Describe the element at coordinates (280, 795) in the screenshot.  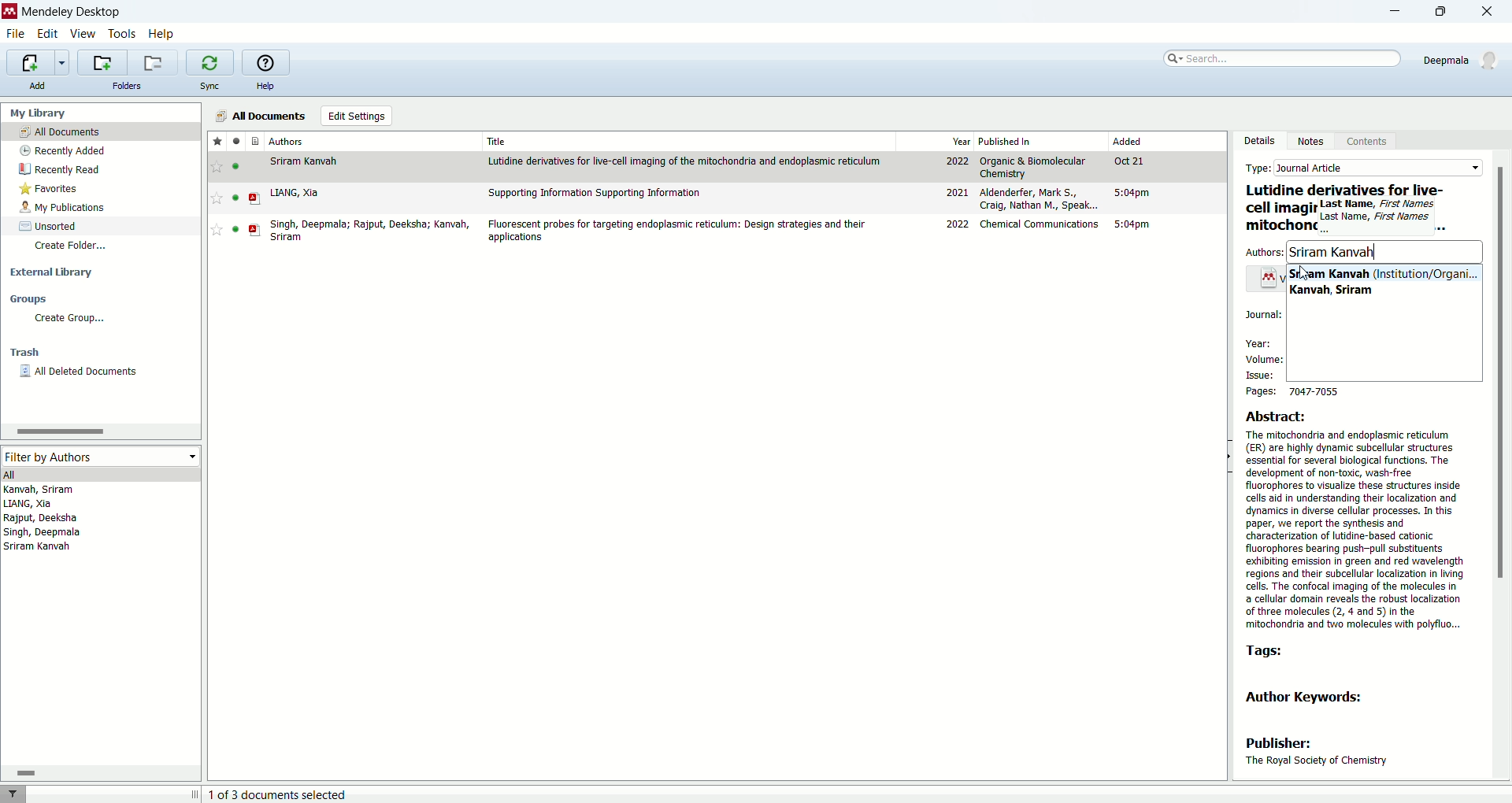
I see `document selected` at that location.